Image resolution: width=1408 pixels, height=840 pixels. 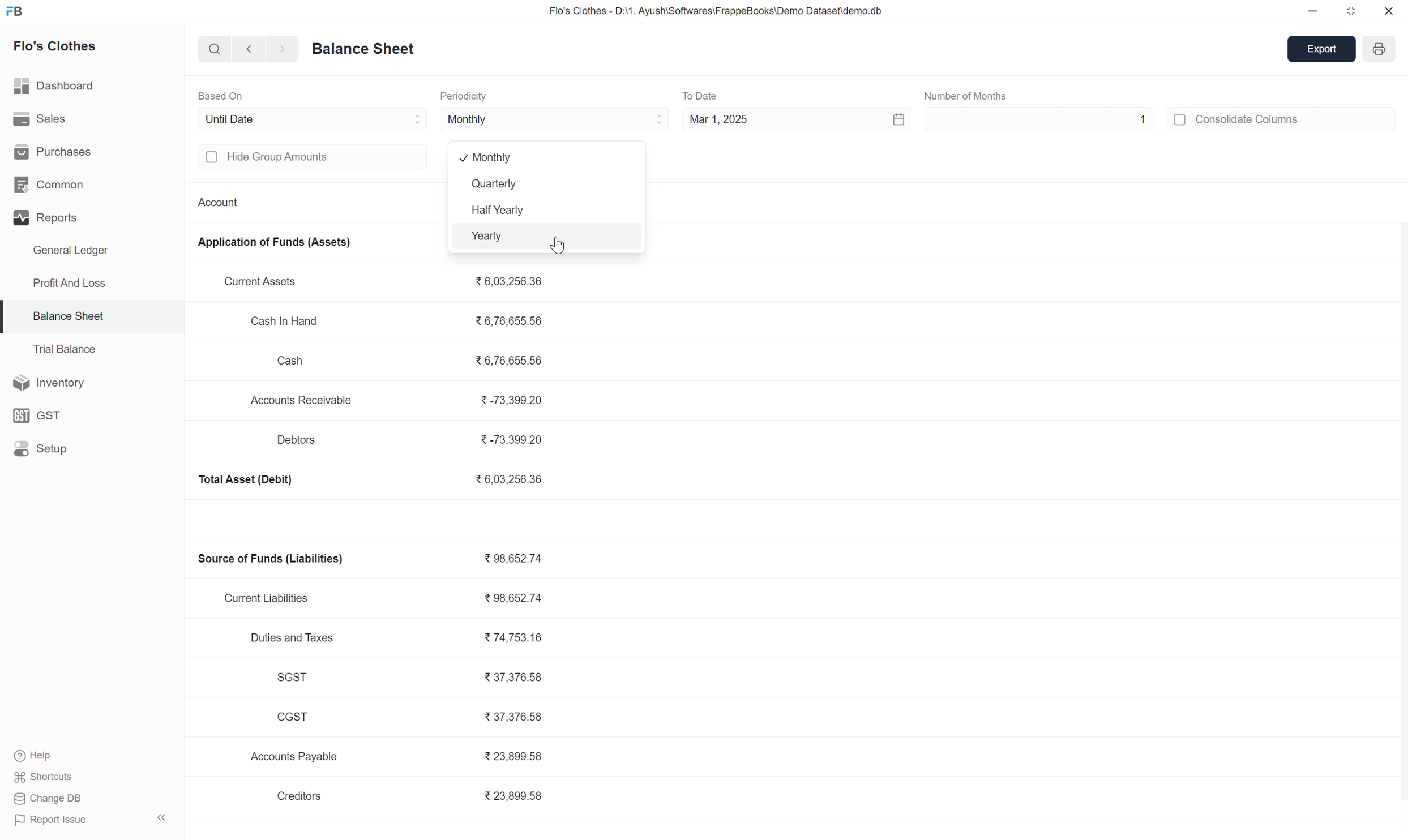 What do you see at coordinates (46, 777) in the screenshot?
I see `Shortcuts` at bounding box center [46, 777].